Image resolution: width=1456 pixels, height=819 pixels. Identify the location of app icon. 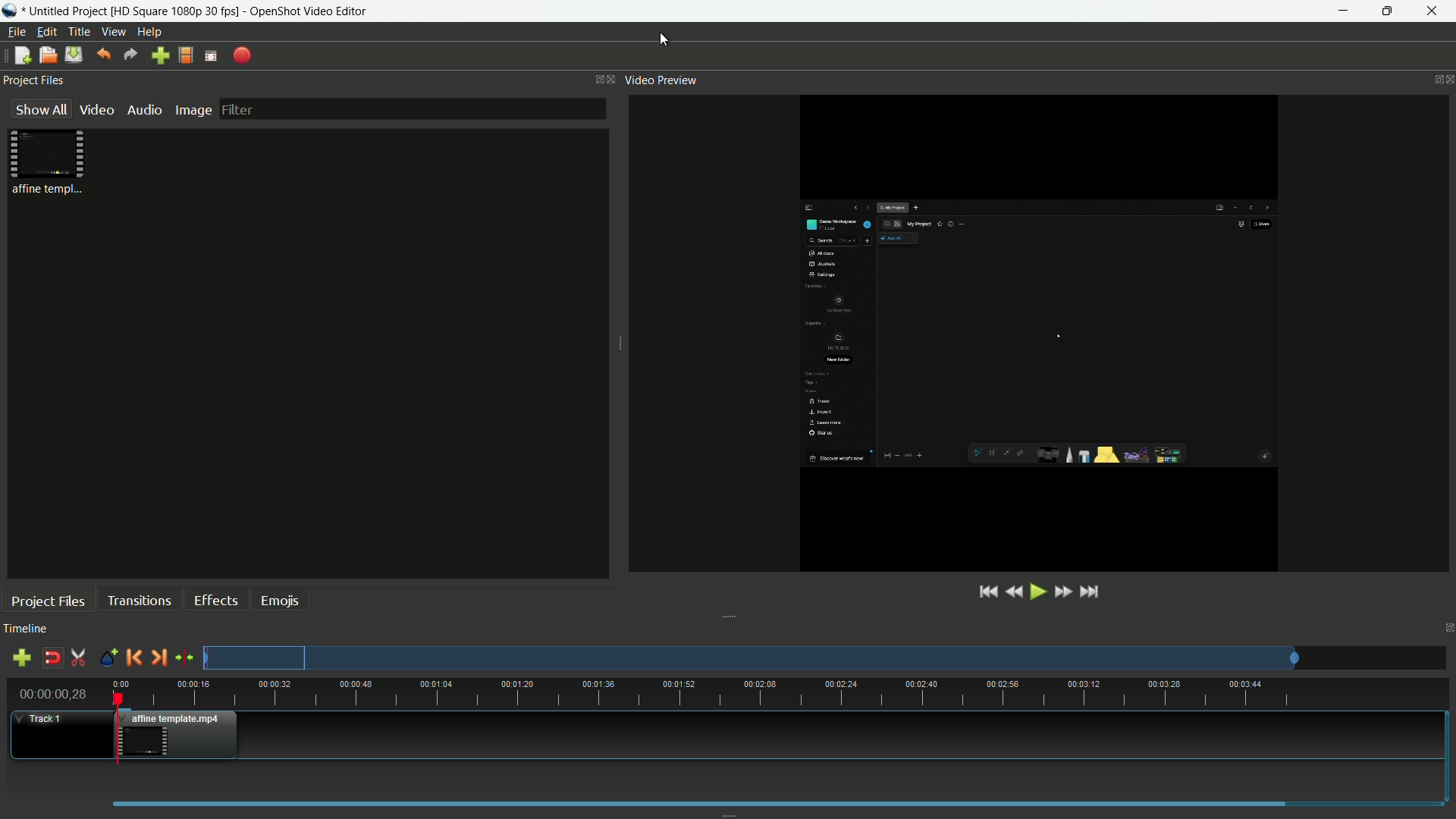
(9, 11).